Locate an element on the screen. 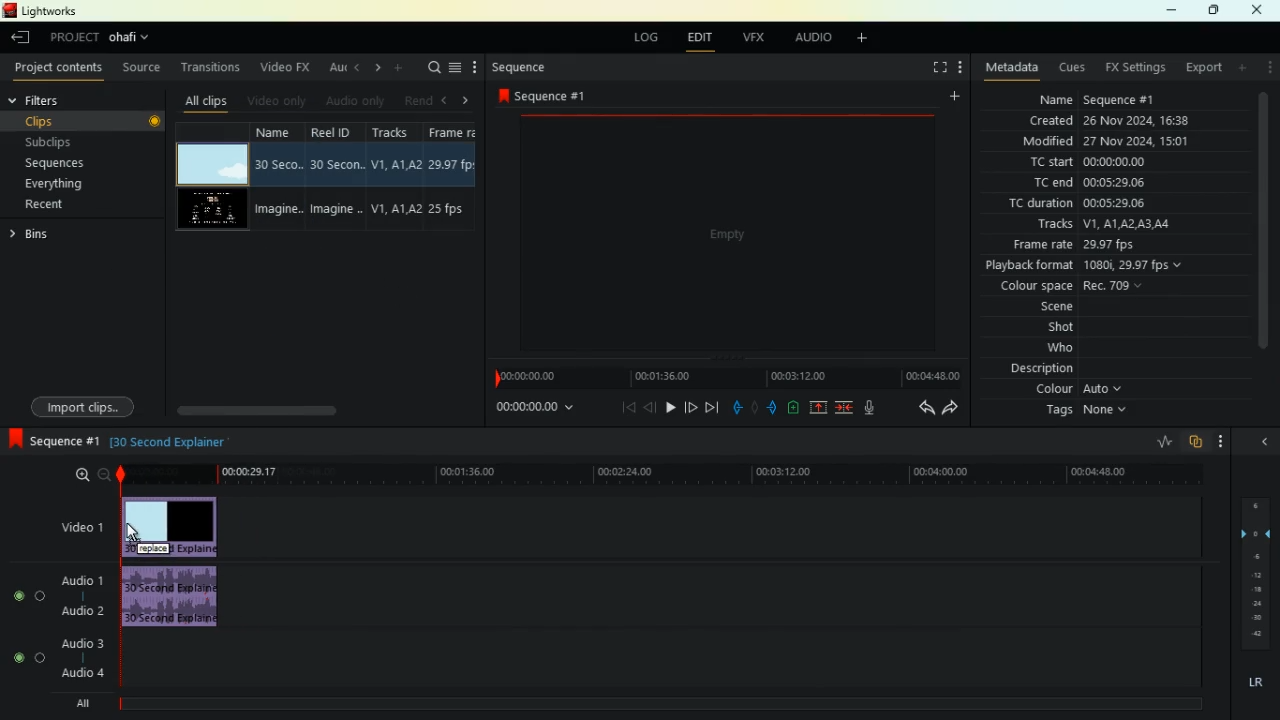  videos is located at coordinates (215, 207).